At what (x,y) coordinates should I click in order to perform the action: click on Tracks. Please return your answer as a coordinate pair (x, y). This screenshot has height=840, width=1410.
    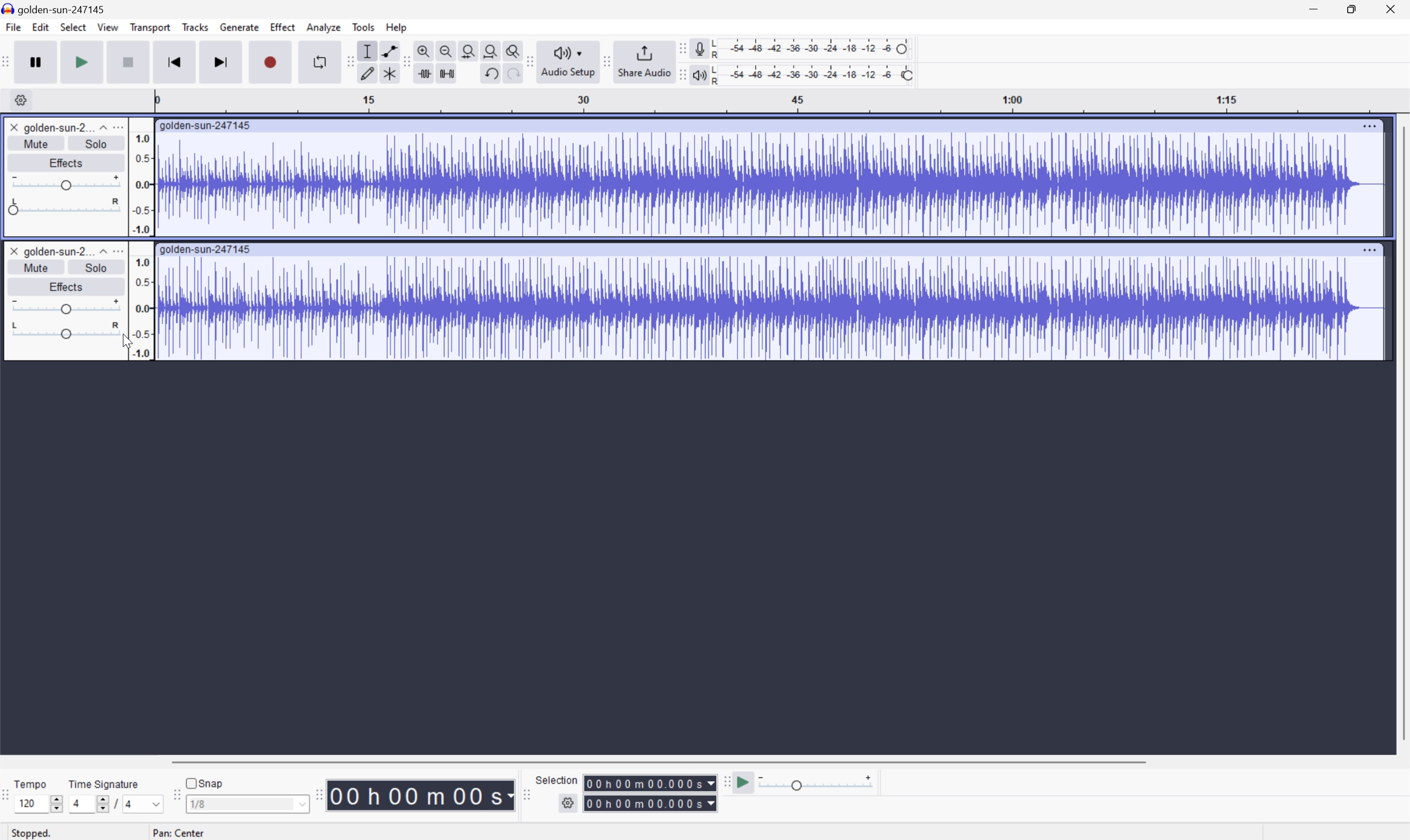
    Looking at the image, I should click on (195, 29).